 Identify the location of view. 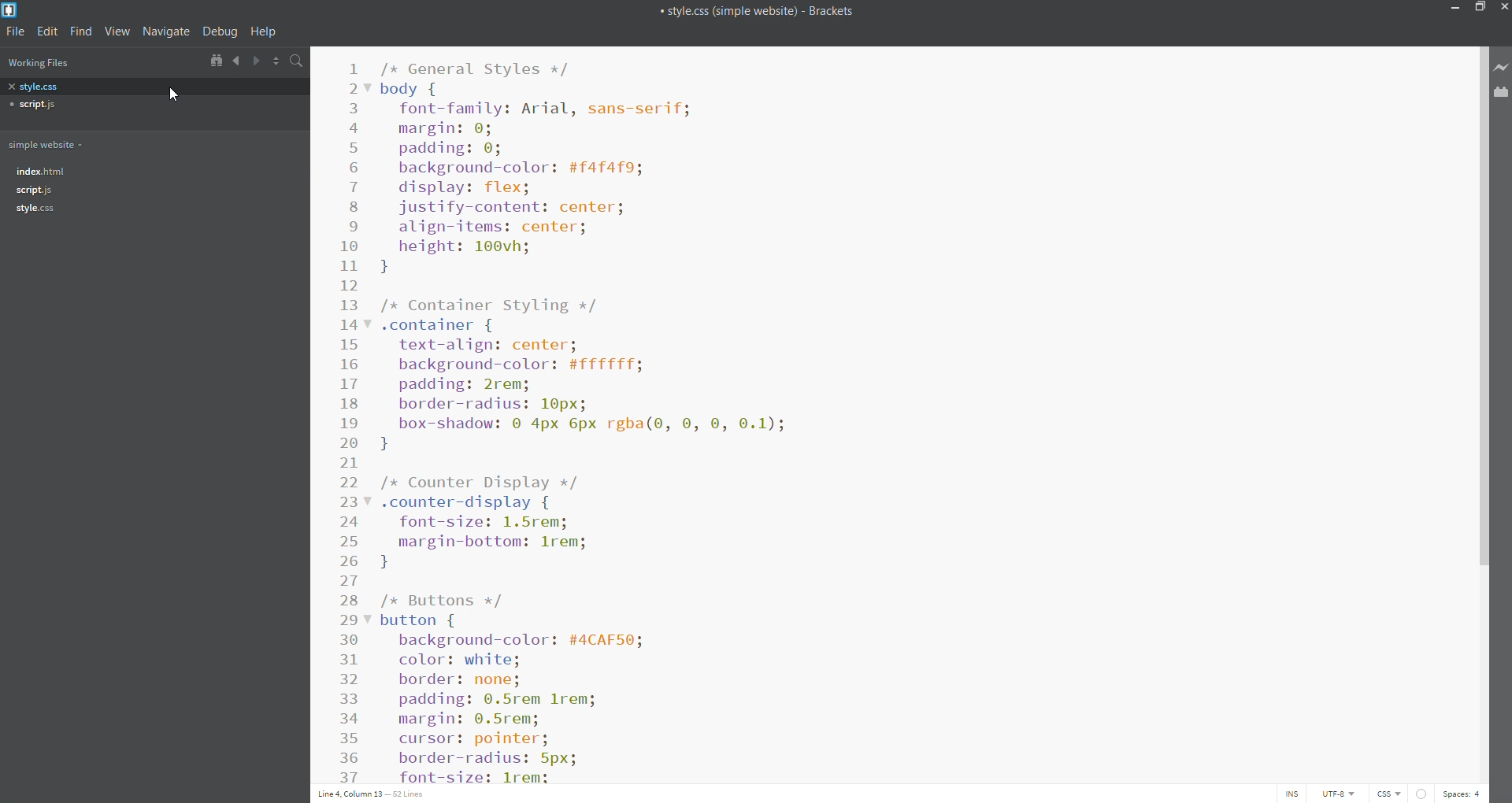
(118, 31).